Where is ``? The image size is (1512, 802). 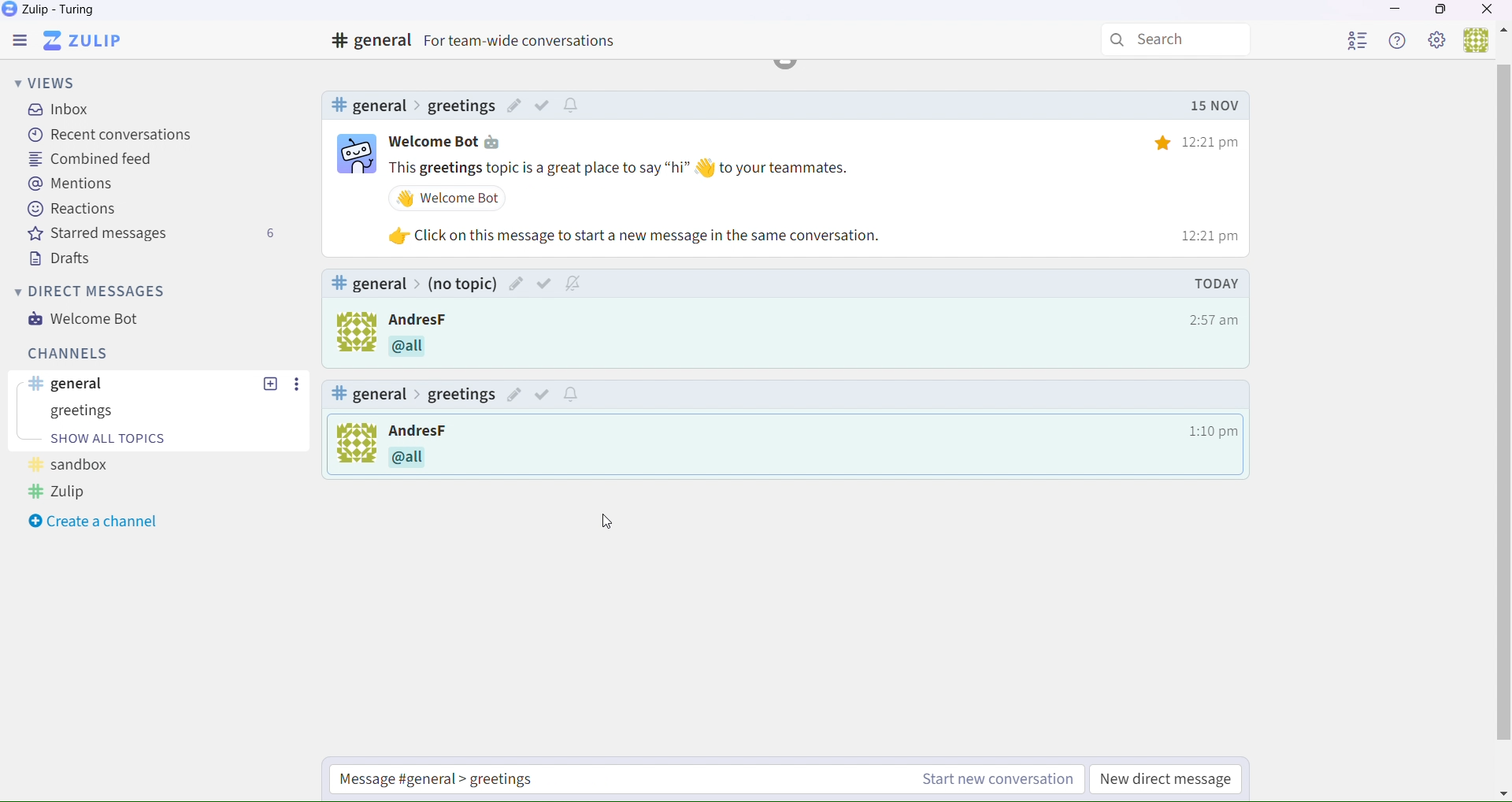
 is located at coordinates (298, 384).